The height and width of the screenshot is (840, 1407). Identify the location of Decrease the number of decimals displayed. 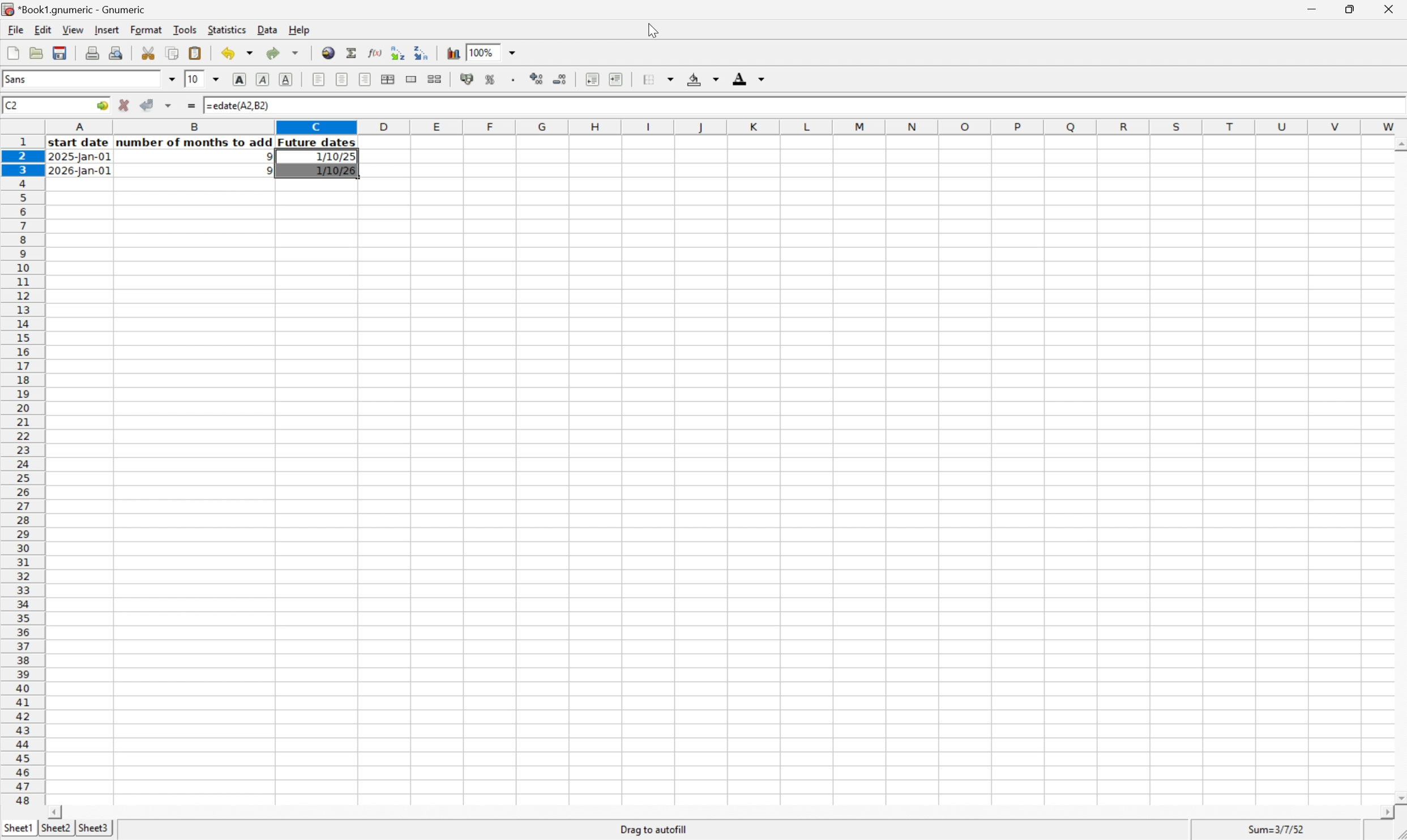
(561, 78).